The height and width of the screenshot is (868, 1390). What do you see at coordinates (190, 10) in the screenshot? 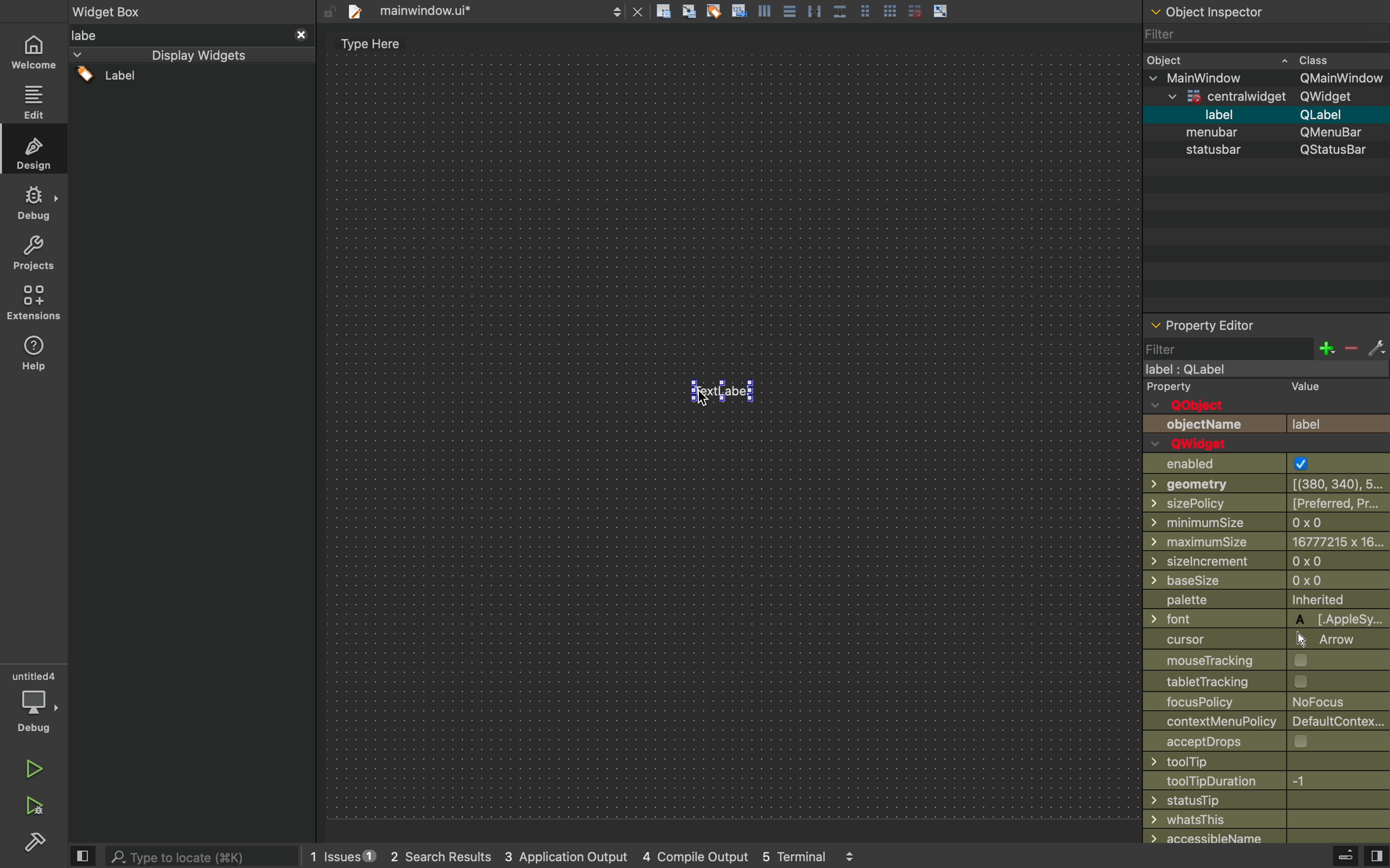
I see `` at bounding box center [190, 10].